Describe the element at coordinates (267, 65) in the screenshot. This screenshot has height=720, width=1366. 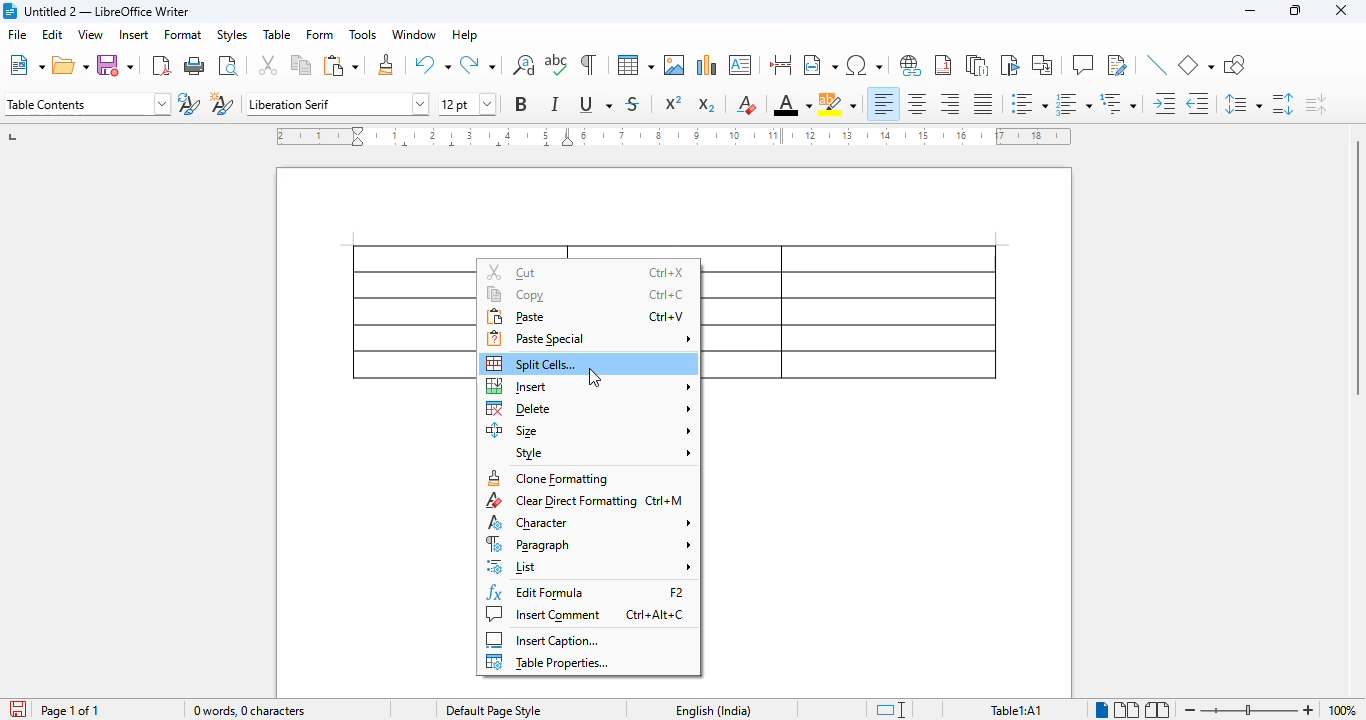
I see `cut` at that location.